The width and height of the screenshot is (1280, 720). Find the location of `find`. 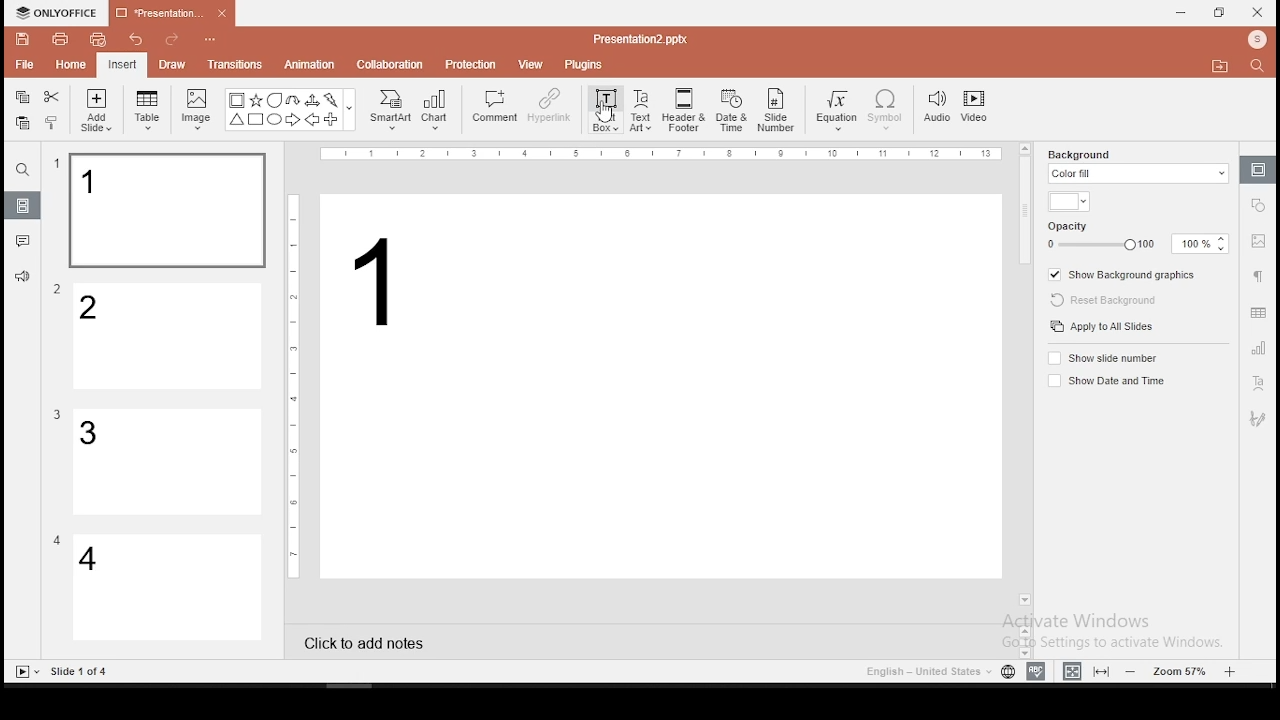

find is located at coordinates (22, 170).